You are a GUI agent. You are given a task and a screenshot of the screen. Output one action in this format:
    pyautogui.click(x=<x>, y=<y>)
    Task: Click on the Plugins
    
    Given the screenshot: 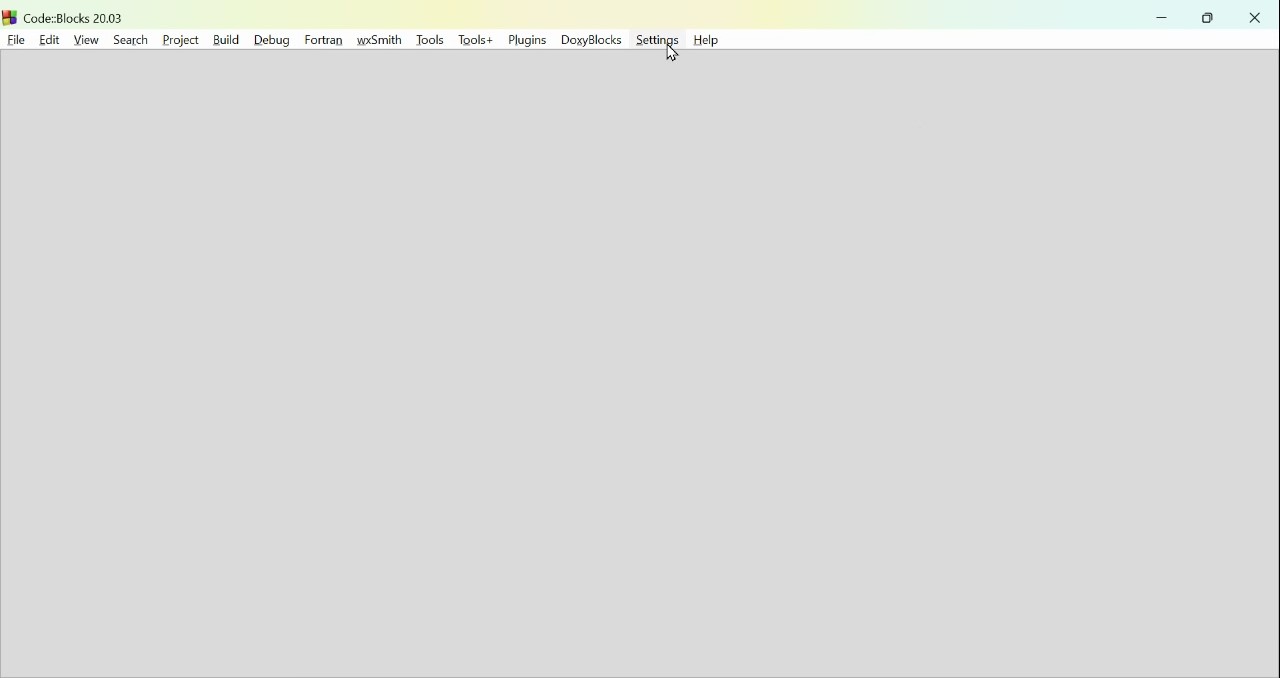 What is the action you would take?
    pyautogui.click(x=529, y=42)
    